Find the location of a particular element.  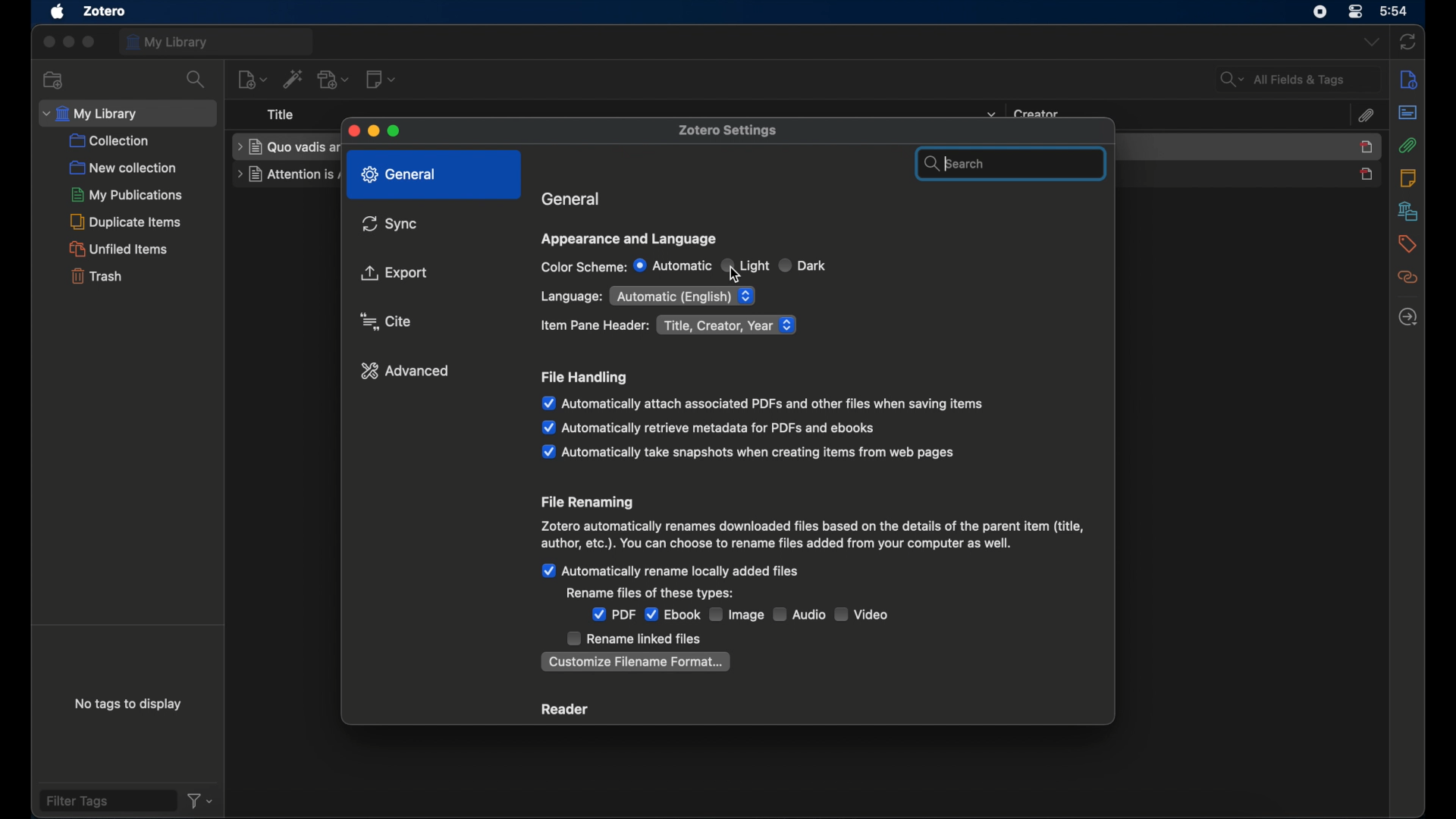

automatically rename locally added files is located at coordinates (670, 570).